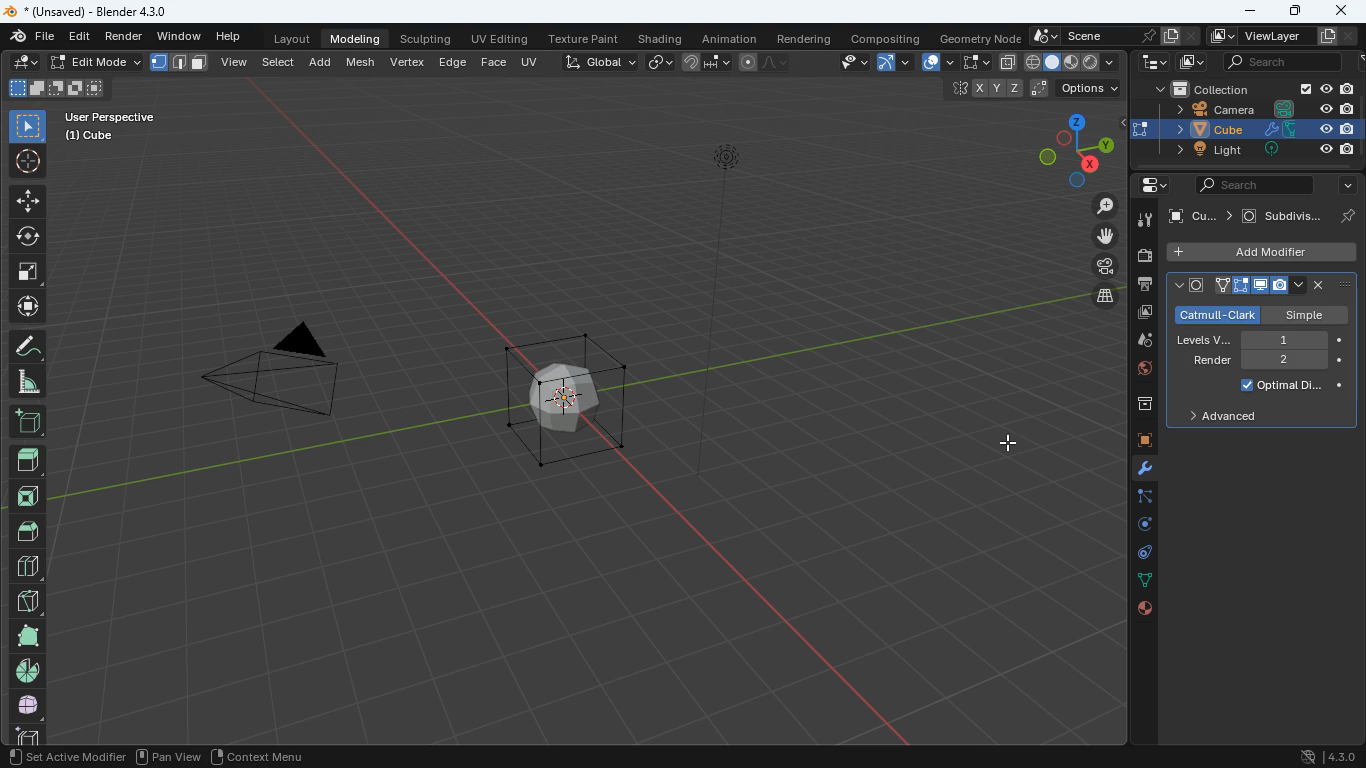 This screenshot has width=1366, height=768. I want to click on scene, so click(1281, 60).